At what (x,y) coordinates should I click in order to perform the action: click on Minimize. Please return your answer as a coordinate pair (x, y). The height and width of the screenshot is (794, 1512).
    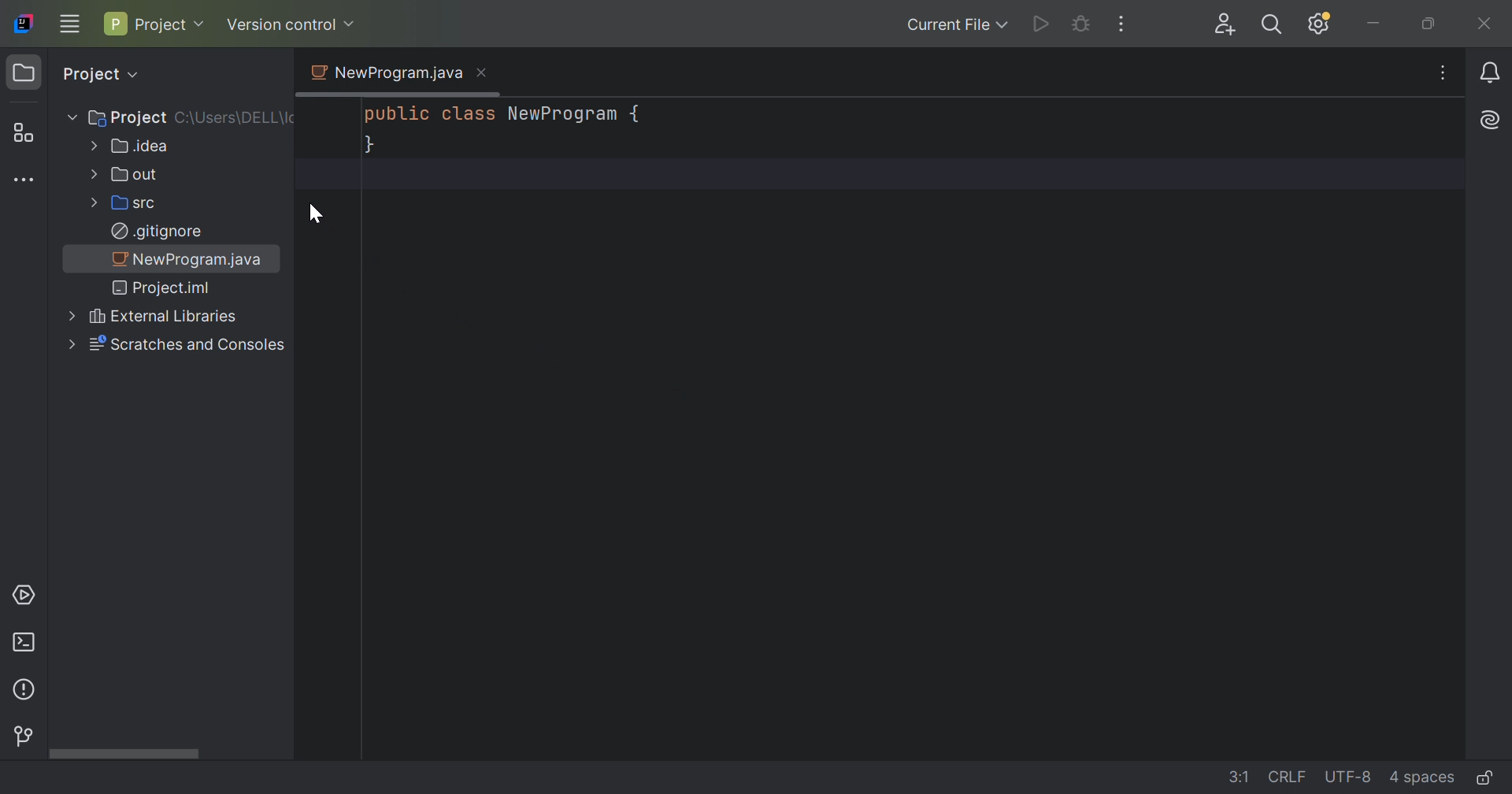
    Looking at the image, I should click on (1374, 24).